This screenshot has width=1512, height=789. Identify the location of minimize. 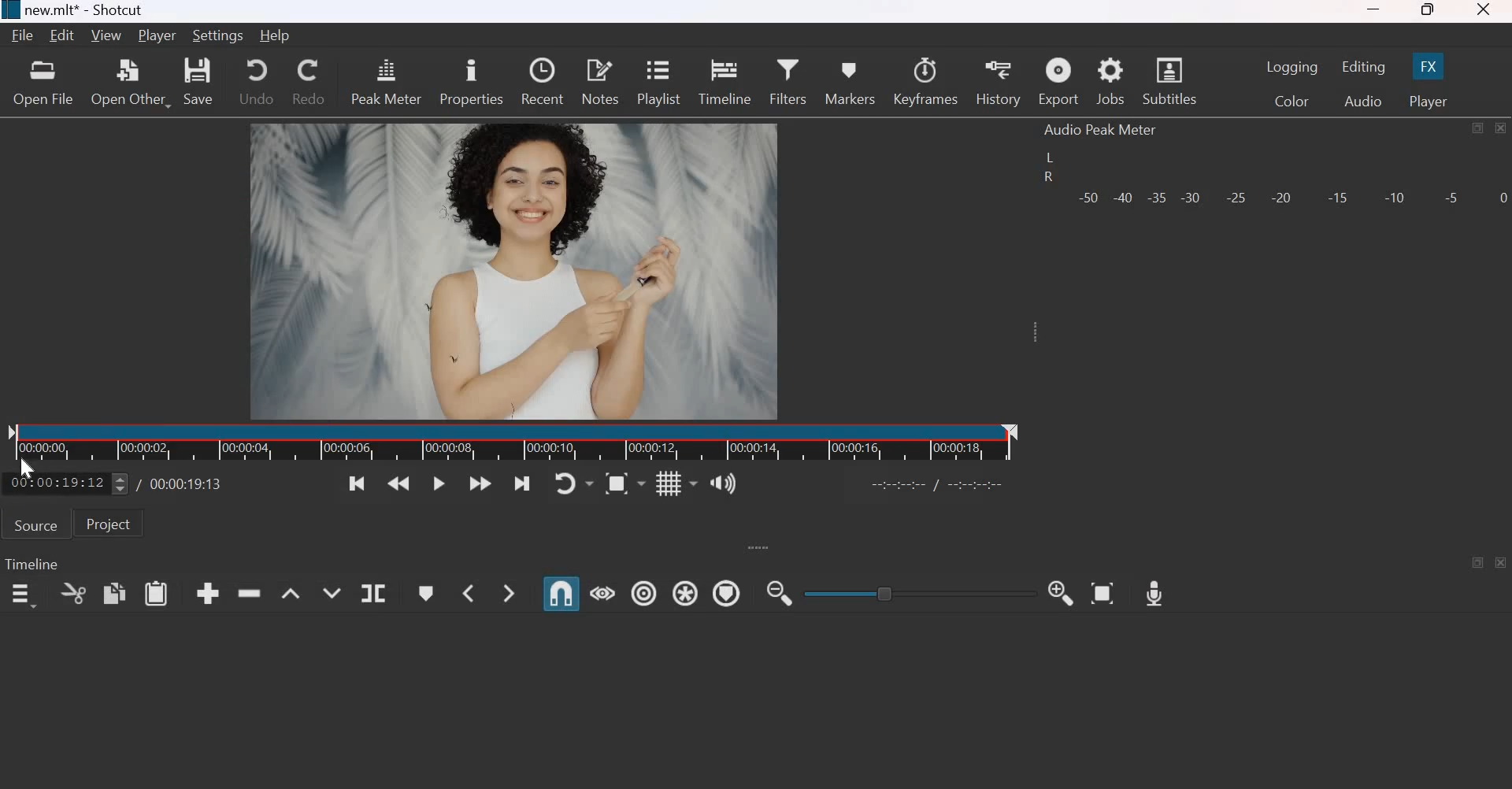
(1373, 13).